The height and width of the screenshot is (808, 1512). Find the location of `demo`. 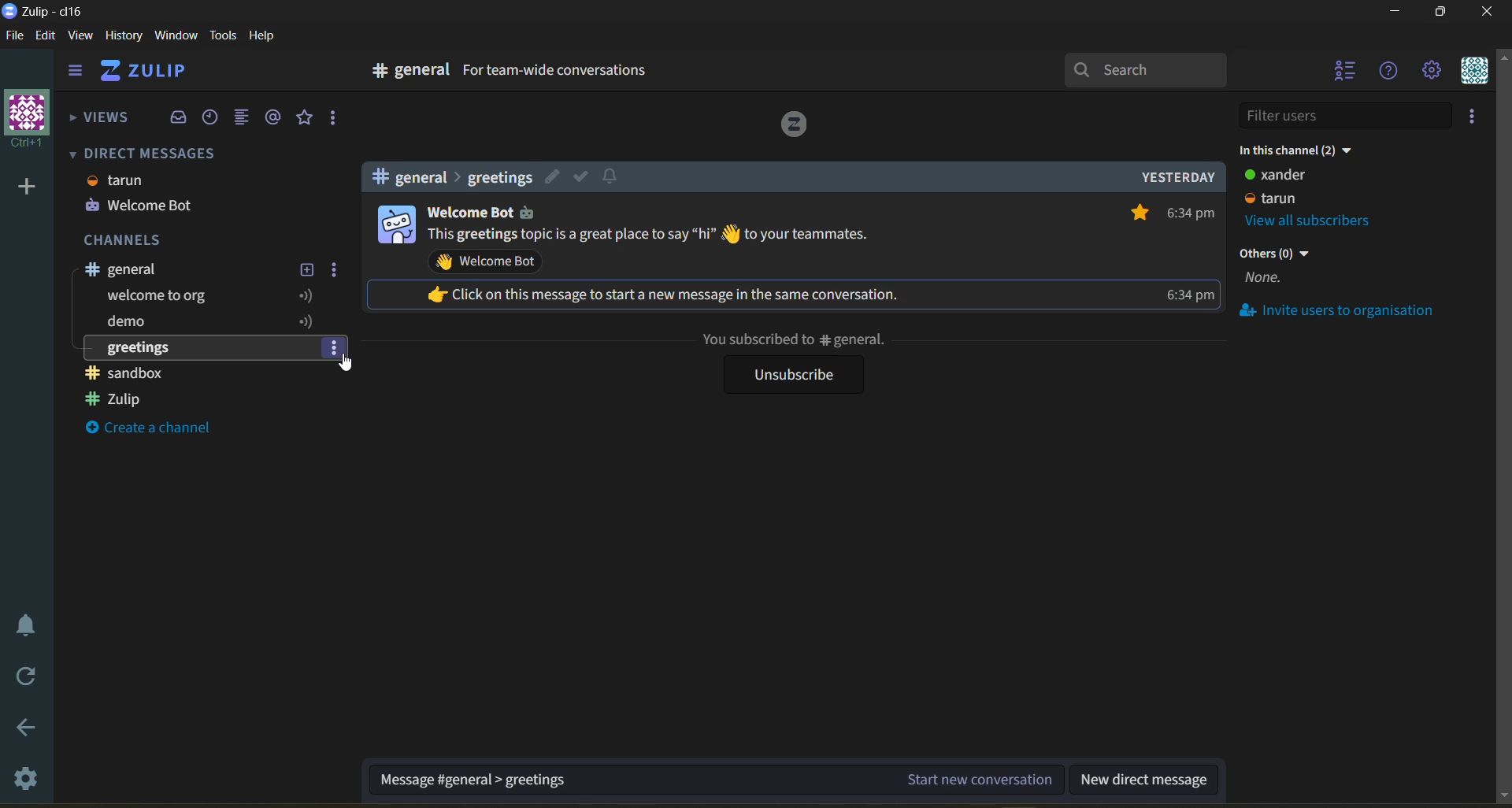

demo is located at coordinates (142, 325).